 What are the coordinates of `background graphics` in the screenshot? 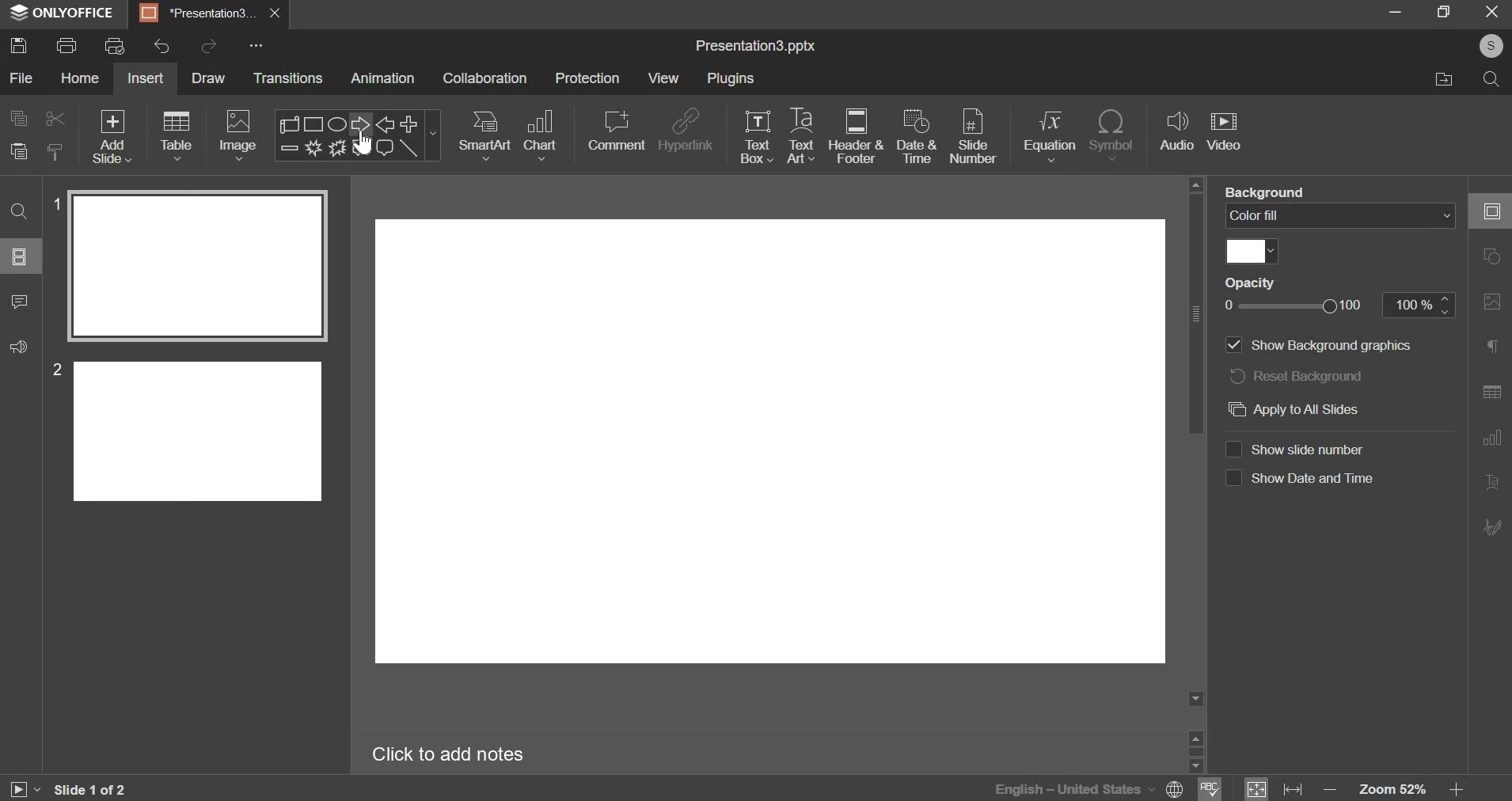 It's located at (1323, 346).